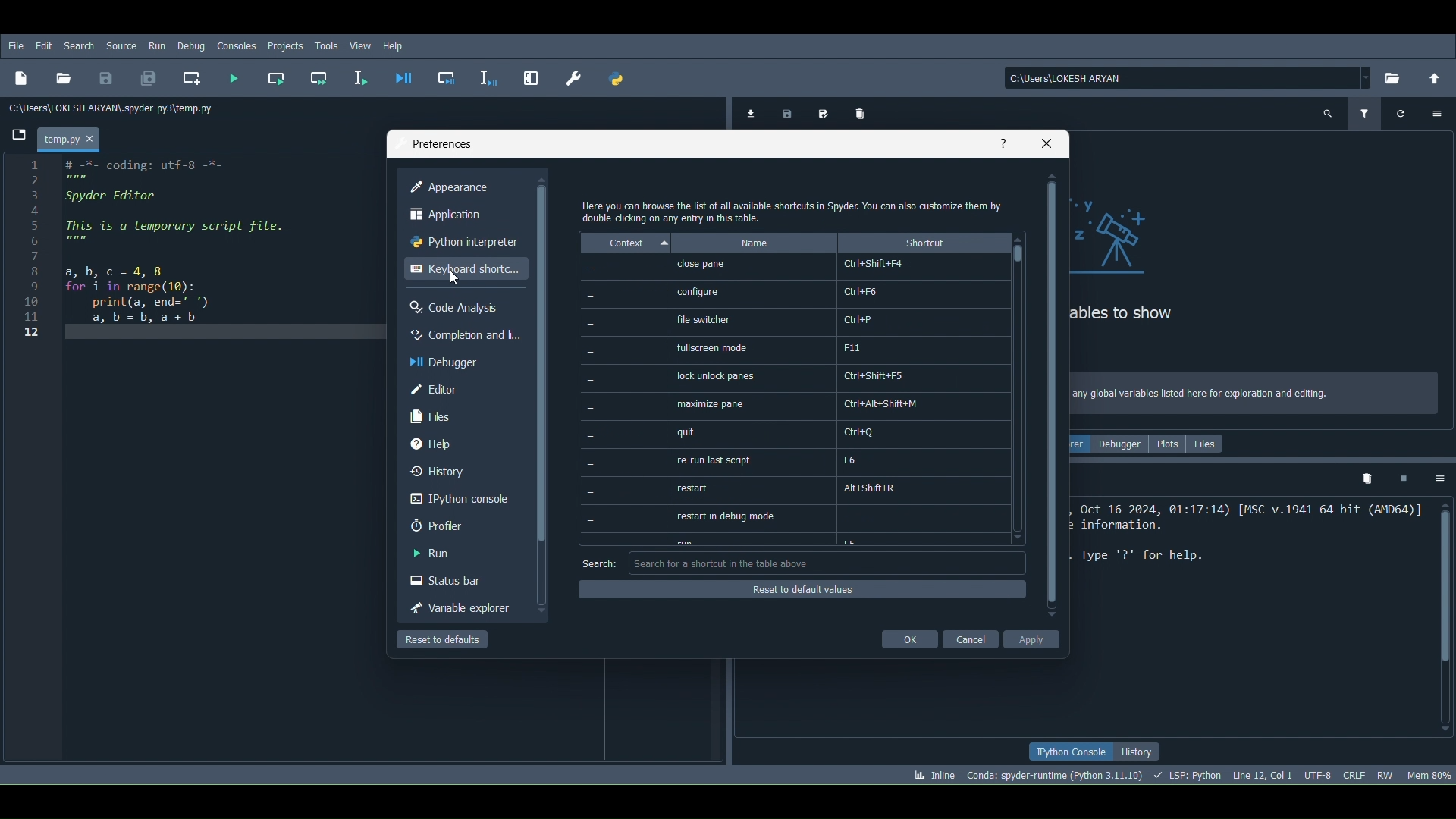 This screenshot has width=1456, height=819. Describe the element at coordinates (460, 416) in the screenshot. I see `Files` at that location.